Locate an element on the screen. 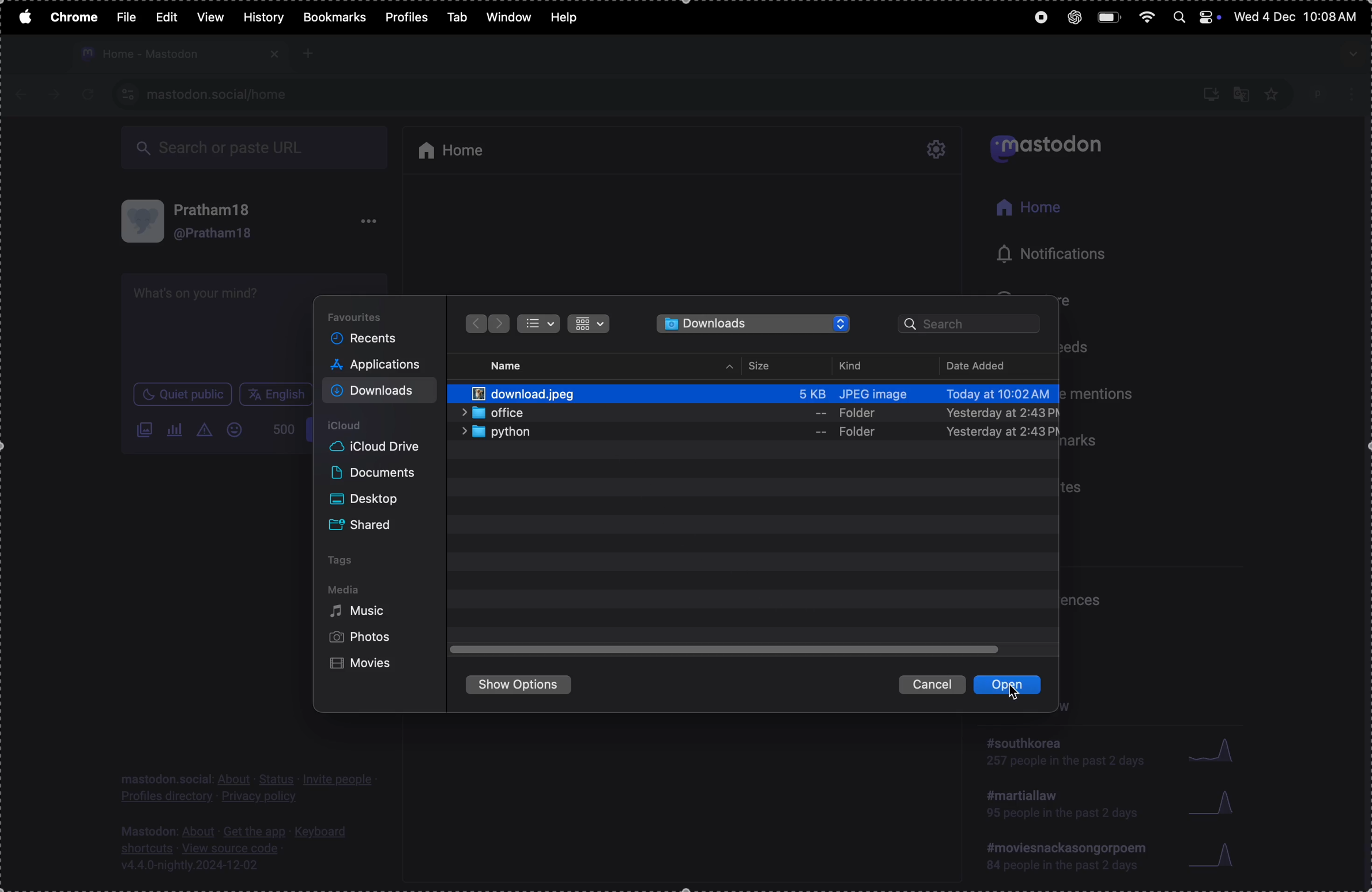 The height and width of the screenshot is (892, 1372). profiles is located at coordinates (406, 18).